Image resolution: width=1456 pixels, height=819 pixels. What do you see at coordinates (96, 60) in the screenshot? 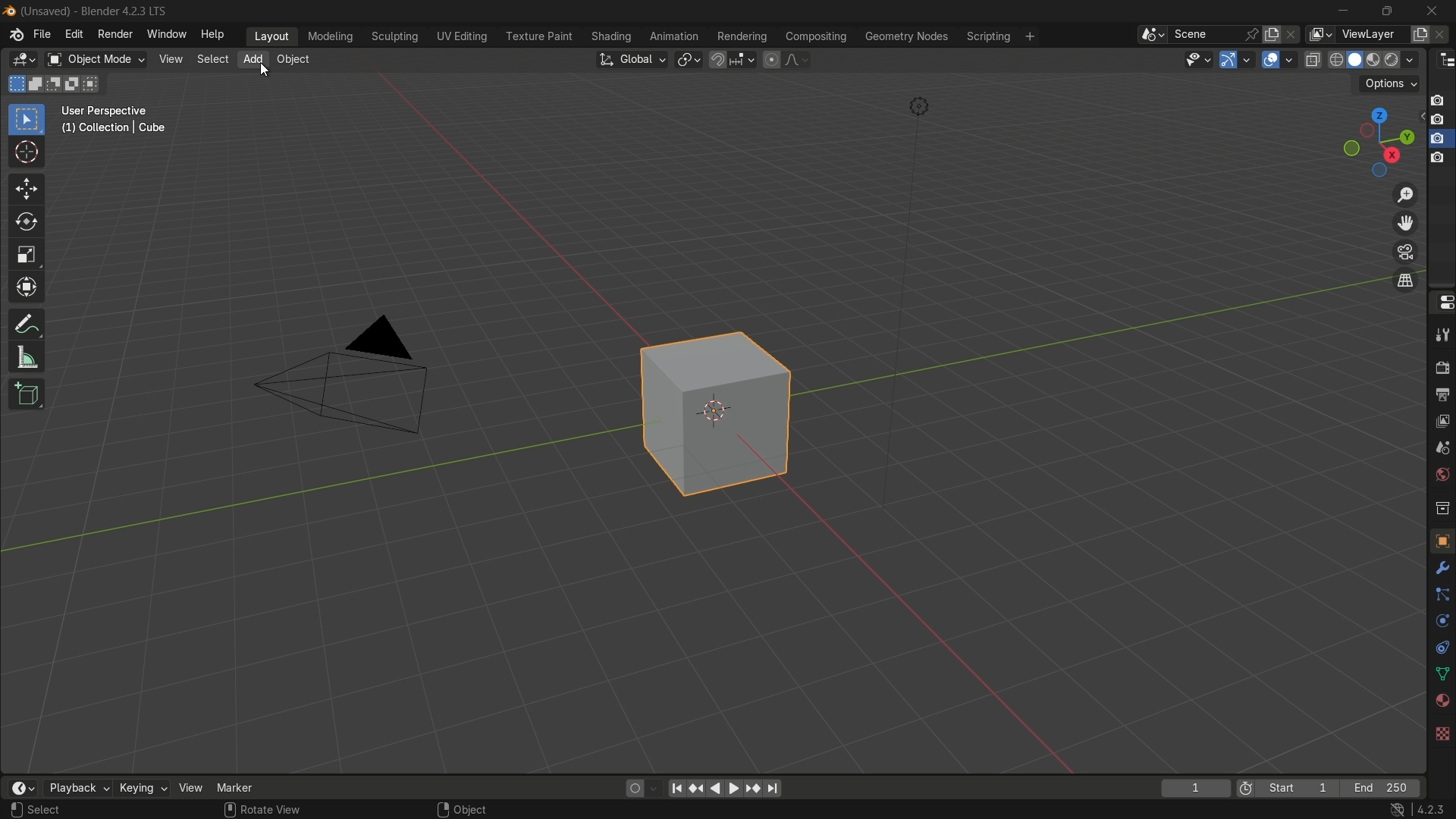
I see `object mode` at bounding box center [96, 60].